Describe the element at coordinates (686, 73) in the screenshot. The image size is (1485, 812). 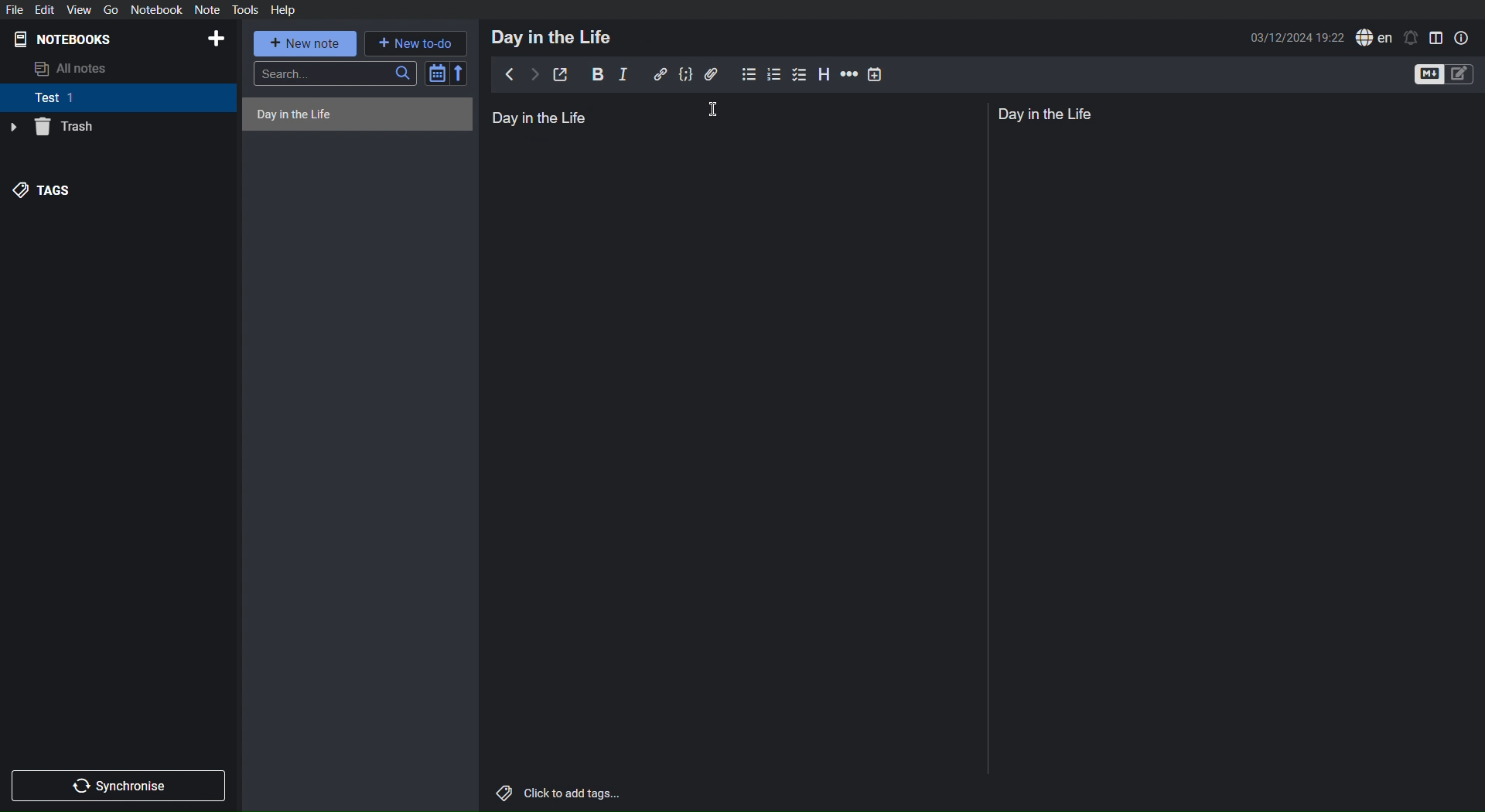
I see `Code` at that location.